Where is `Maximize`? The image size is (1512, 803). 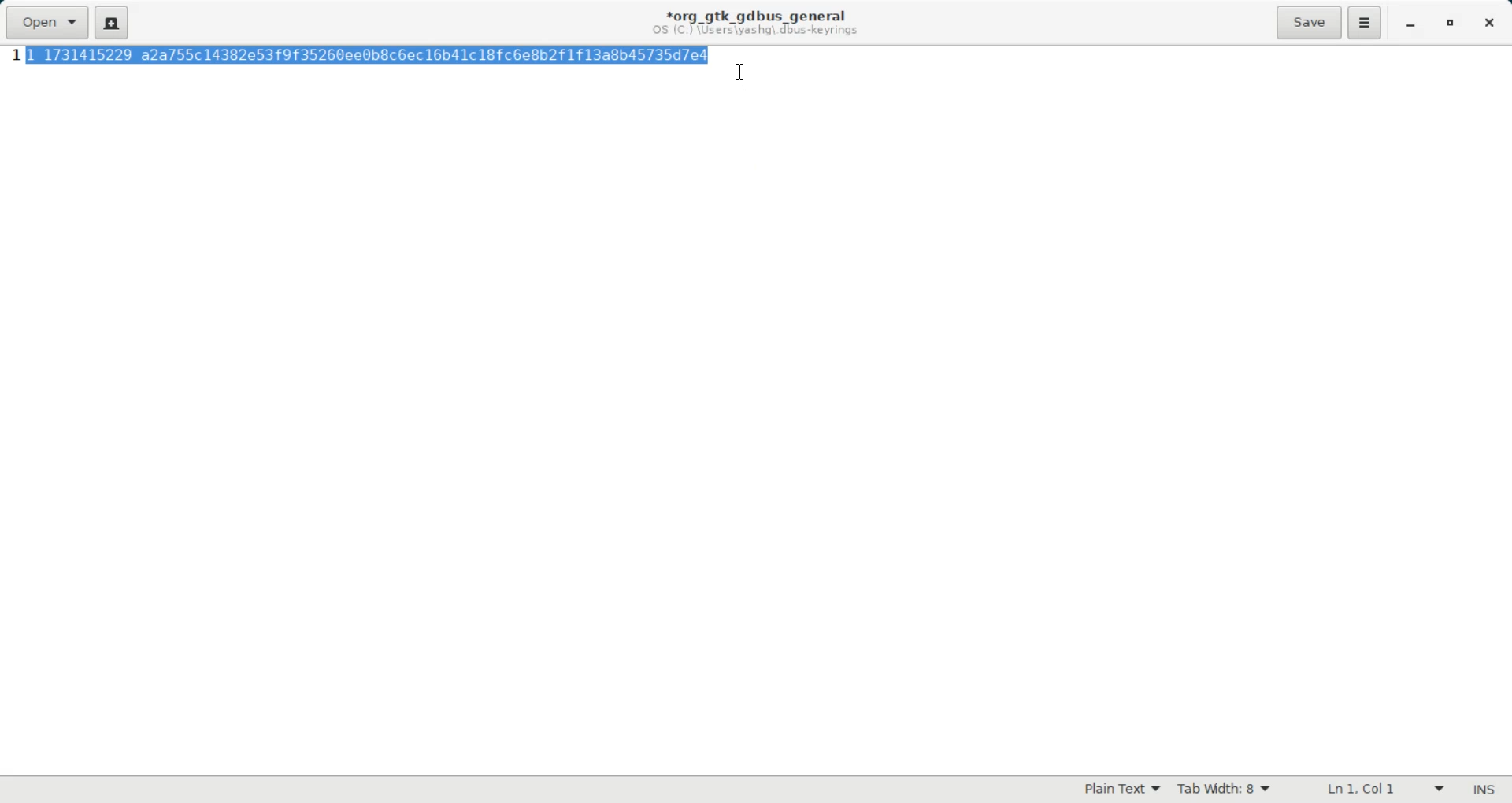
Maximize is located at coordinates (1452, 24).